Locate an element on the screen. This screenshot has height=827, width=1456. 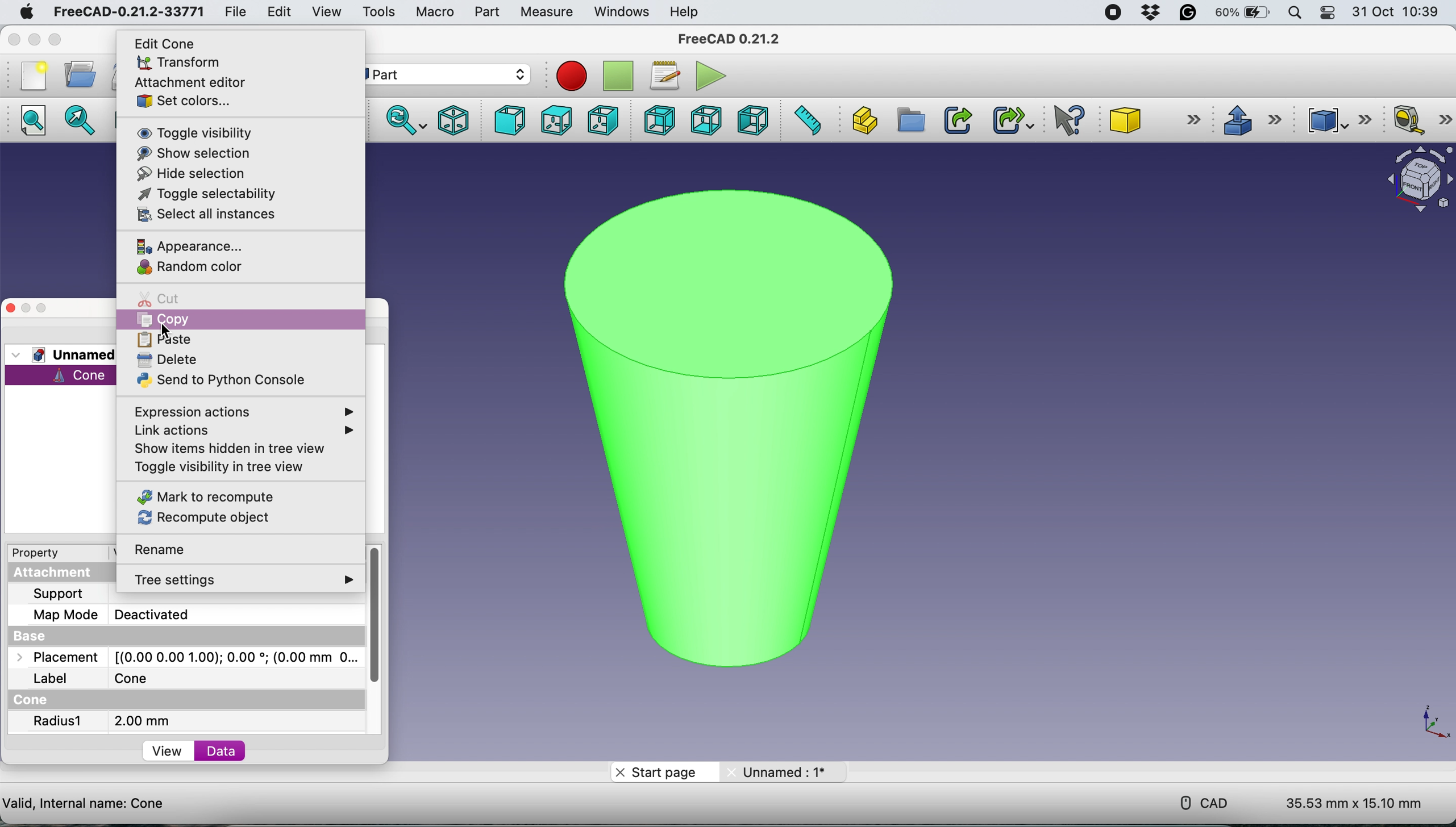
make sub link is located at coordinates (1012, 120).